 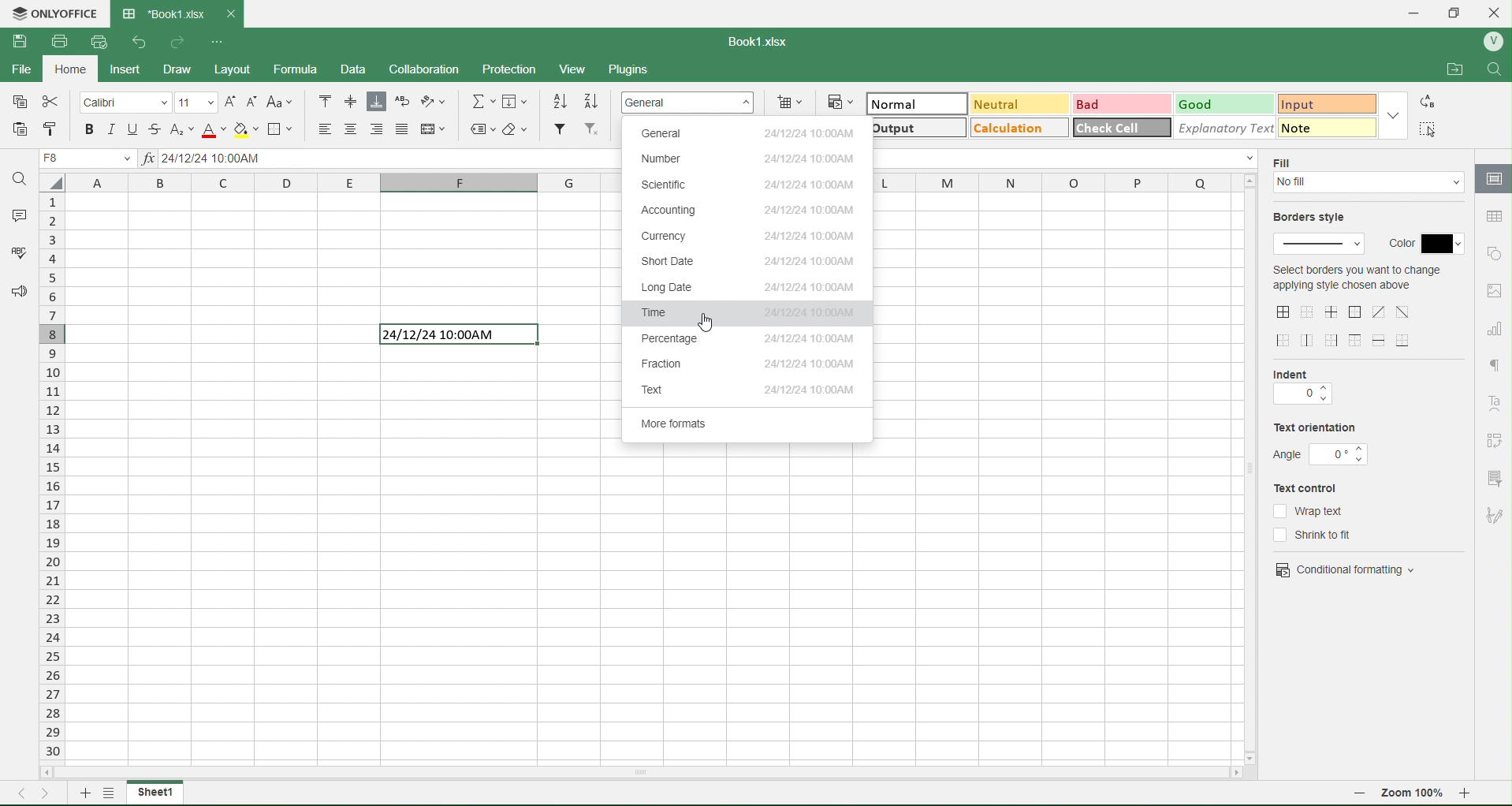 I want to click on Draw, so click(x=192, y=66).